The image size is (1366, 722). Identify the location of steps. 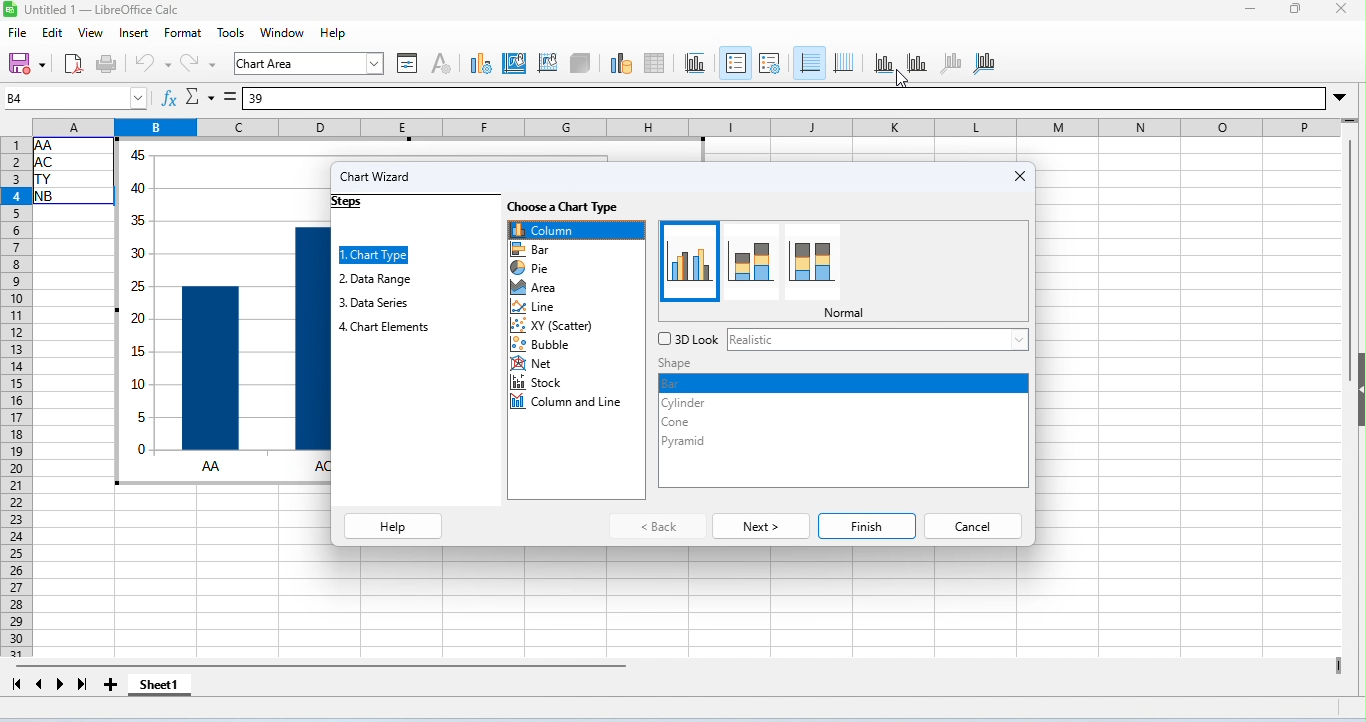
(353, 204).